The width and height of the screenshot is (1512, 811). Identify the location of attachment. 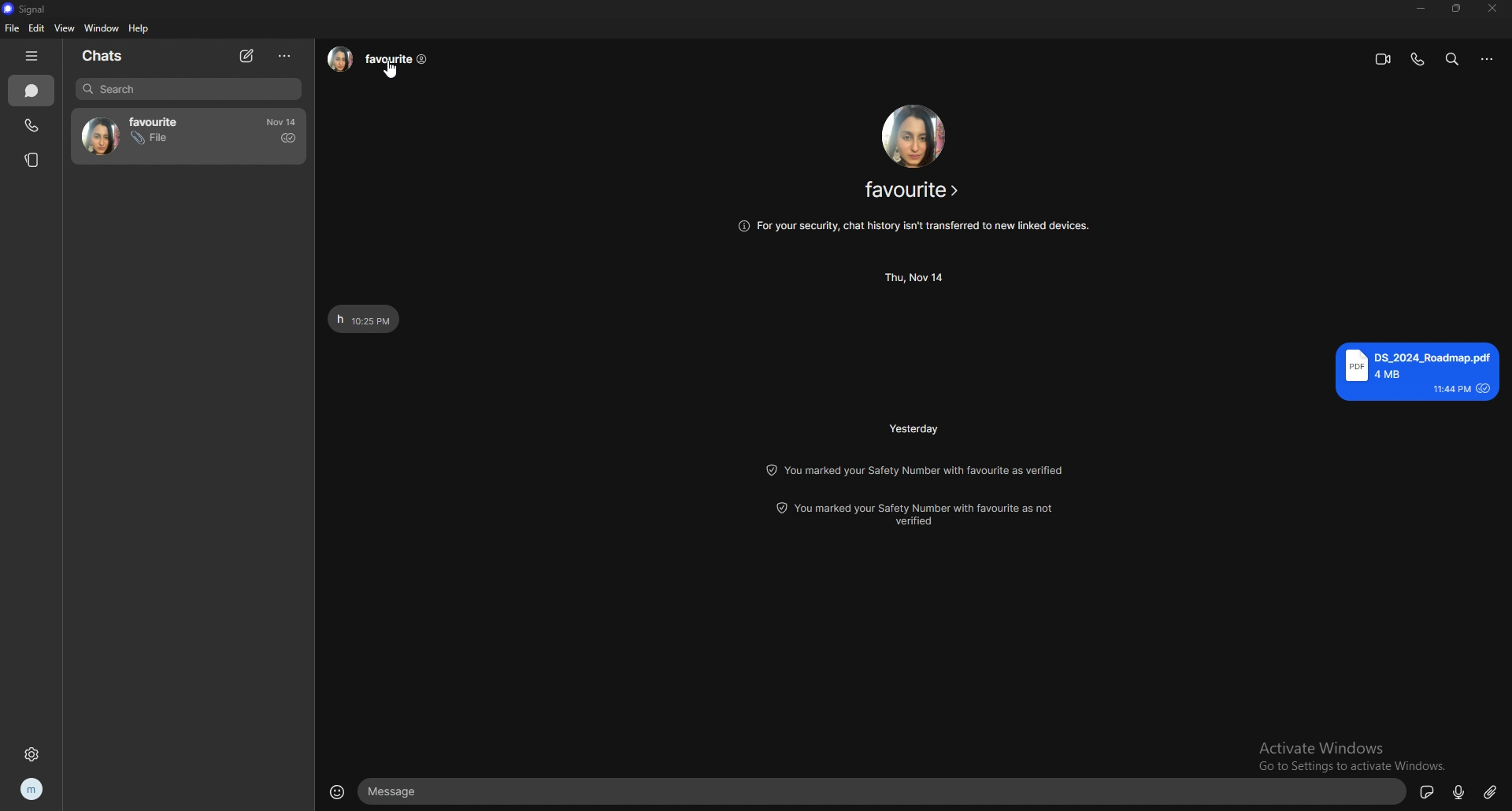
(1492, 794).